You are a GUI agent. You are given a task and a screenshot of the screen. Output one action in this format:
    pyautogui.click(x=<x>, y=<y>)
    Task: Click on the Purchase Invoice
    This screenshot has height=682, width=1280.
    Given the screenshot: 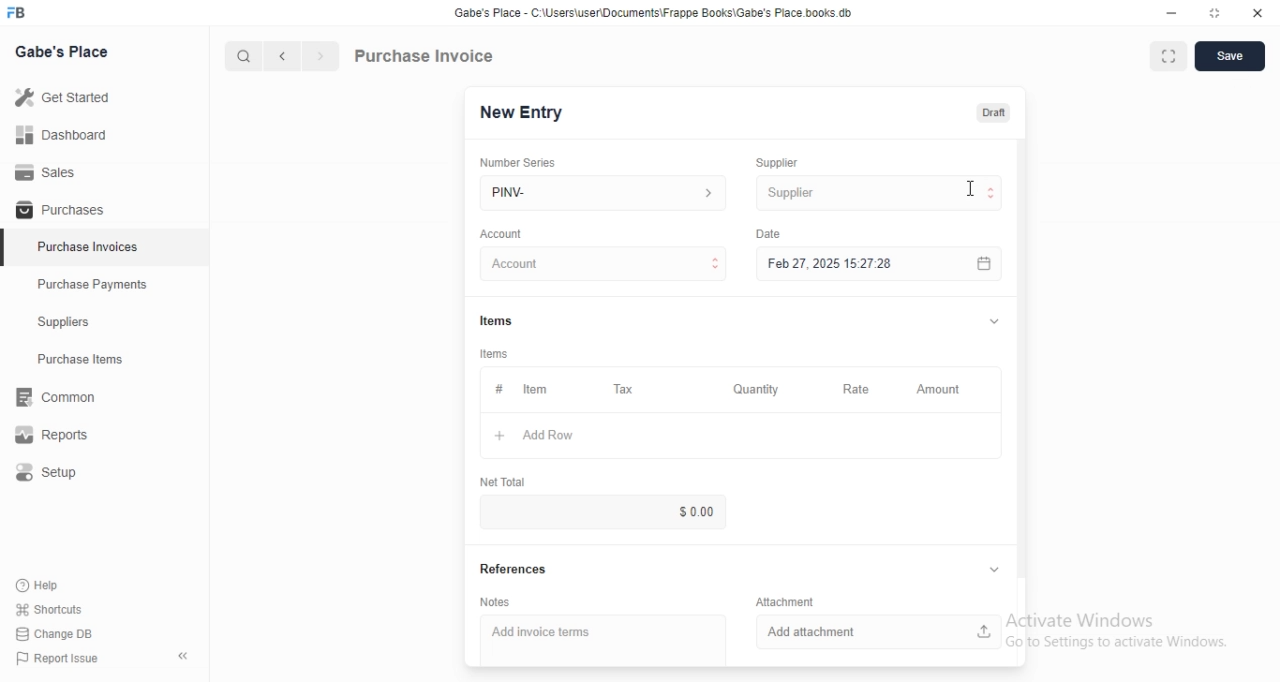 What is the action you would take?
    pyautogui.click(x=425, y=55)
    